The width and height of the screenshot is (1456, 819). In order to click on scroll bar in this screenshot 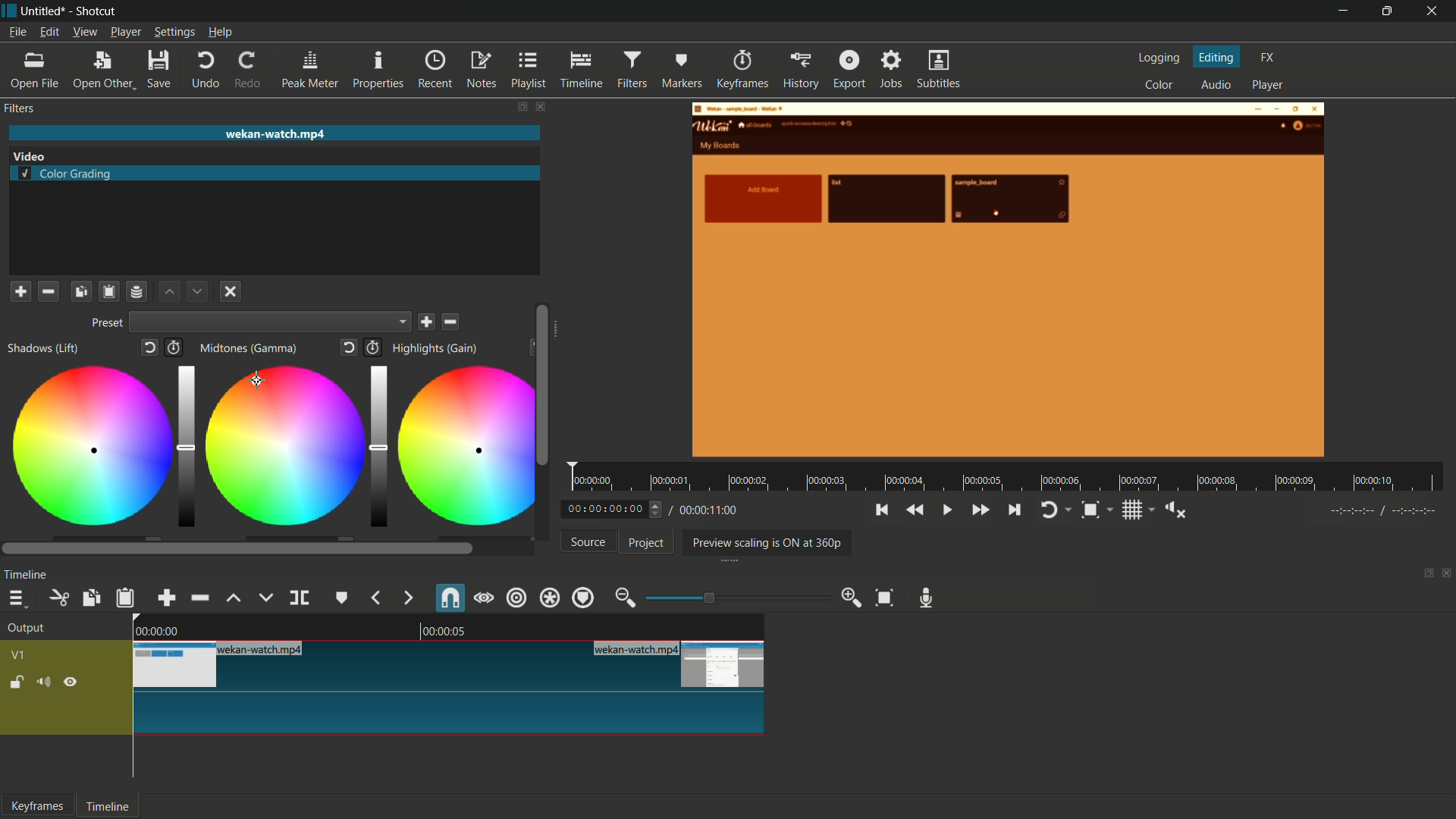, I will do `click(238, 549)`.